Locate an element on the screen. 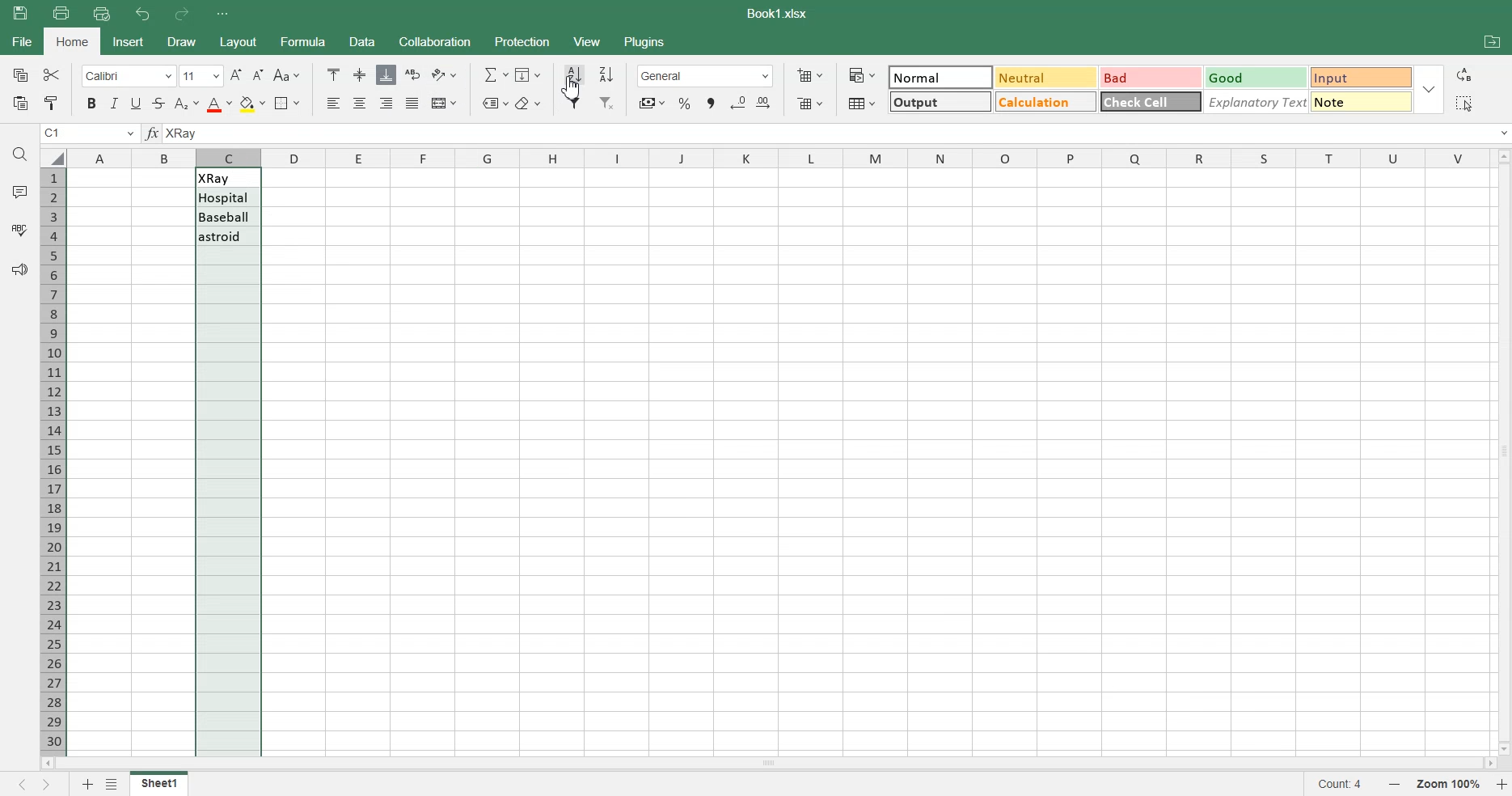  List Of Sheet is located at coordinates (114, 784).